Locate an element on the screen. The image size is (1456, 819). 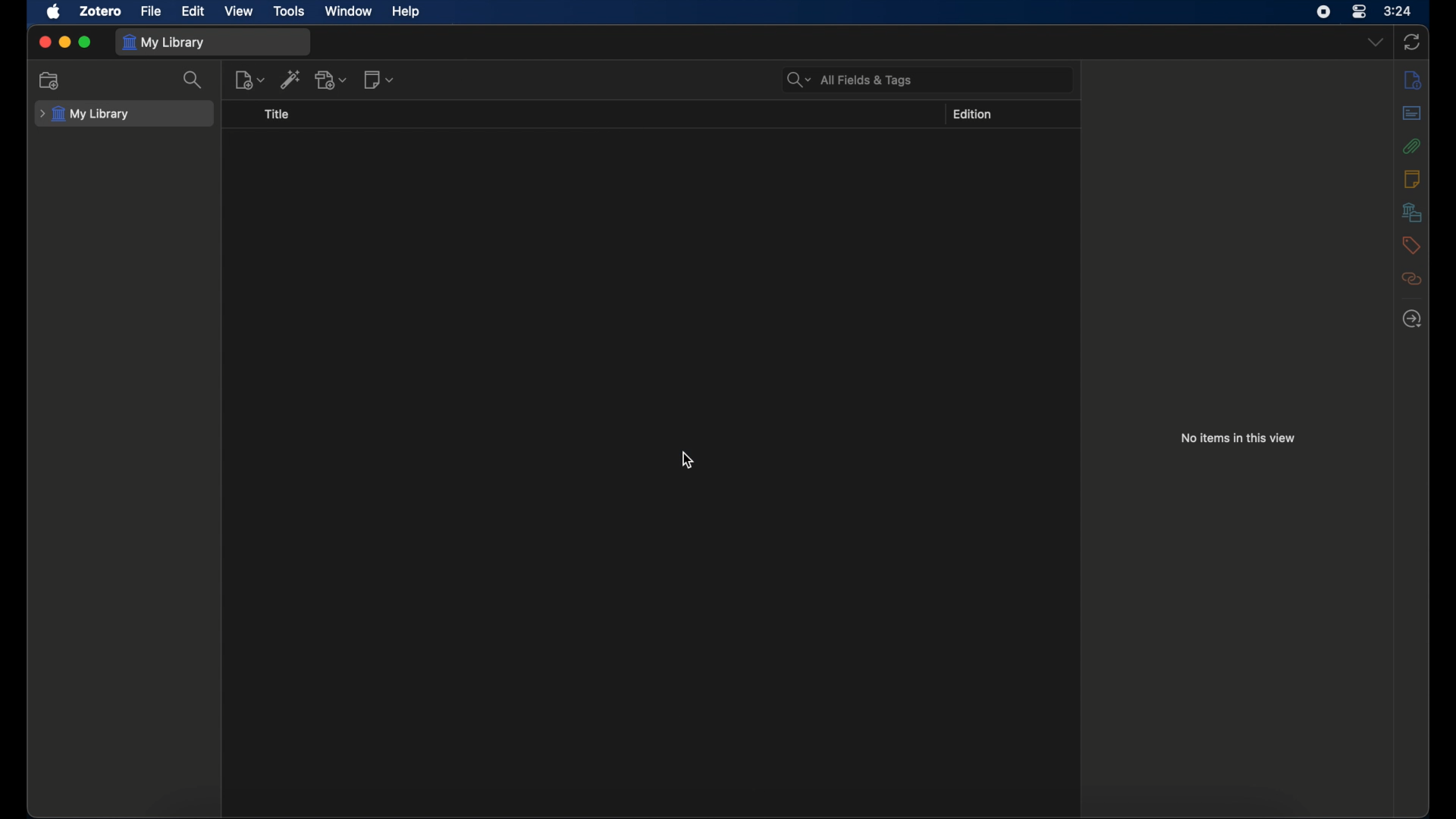
tools is located at coordinates (290, 11).